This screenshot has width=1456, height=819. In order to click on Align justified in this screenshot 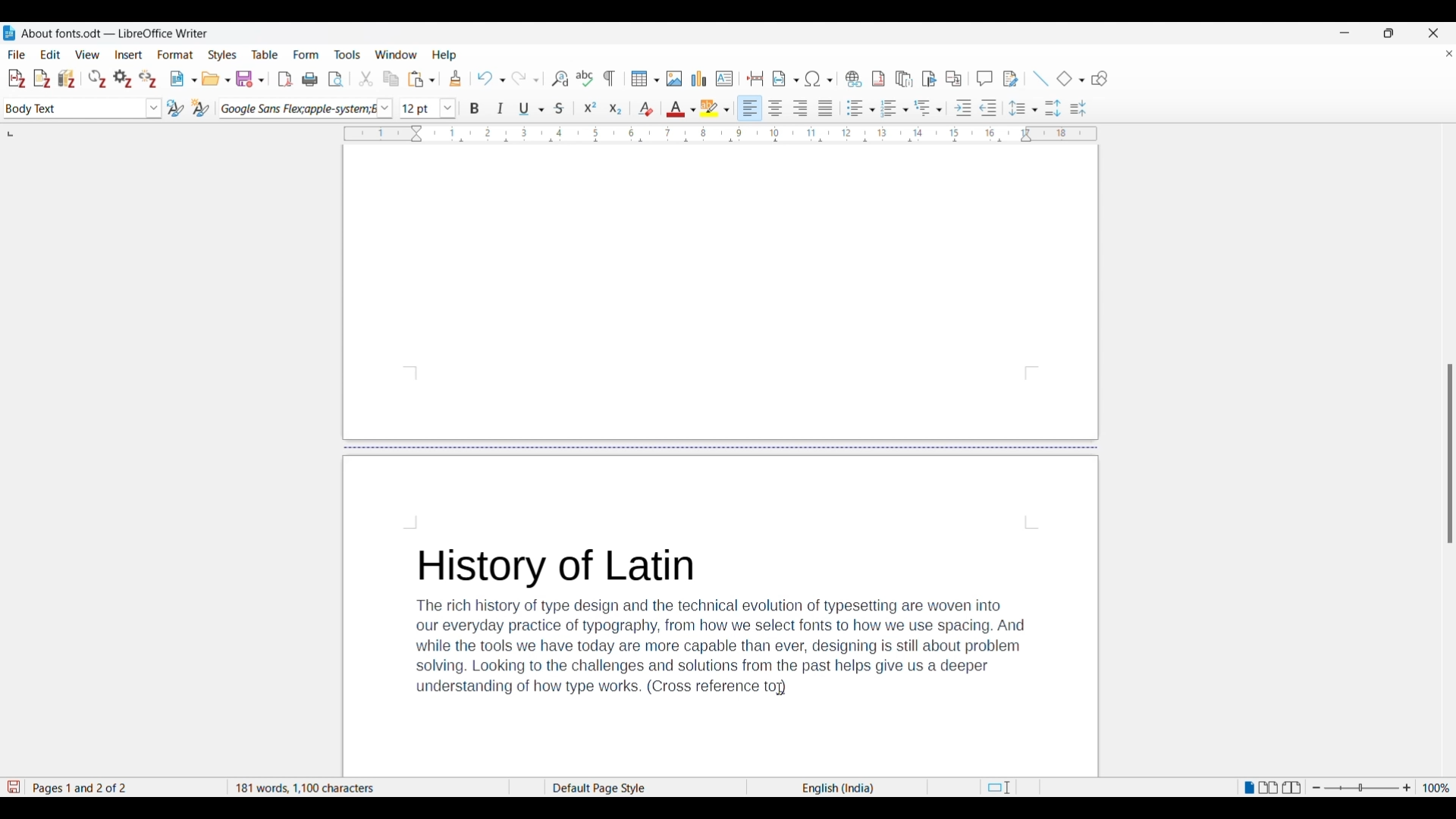, I will do `click(826, 108)`.